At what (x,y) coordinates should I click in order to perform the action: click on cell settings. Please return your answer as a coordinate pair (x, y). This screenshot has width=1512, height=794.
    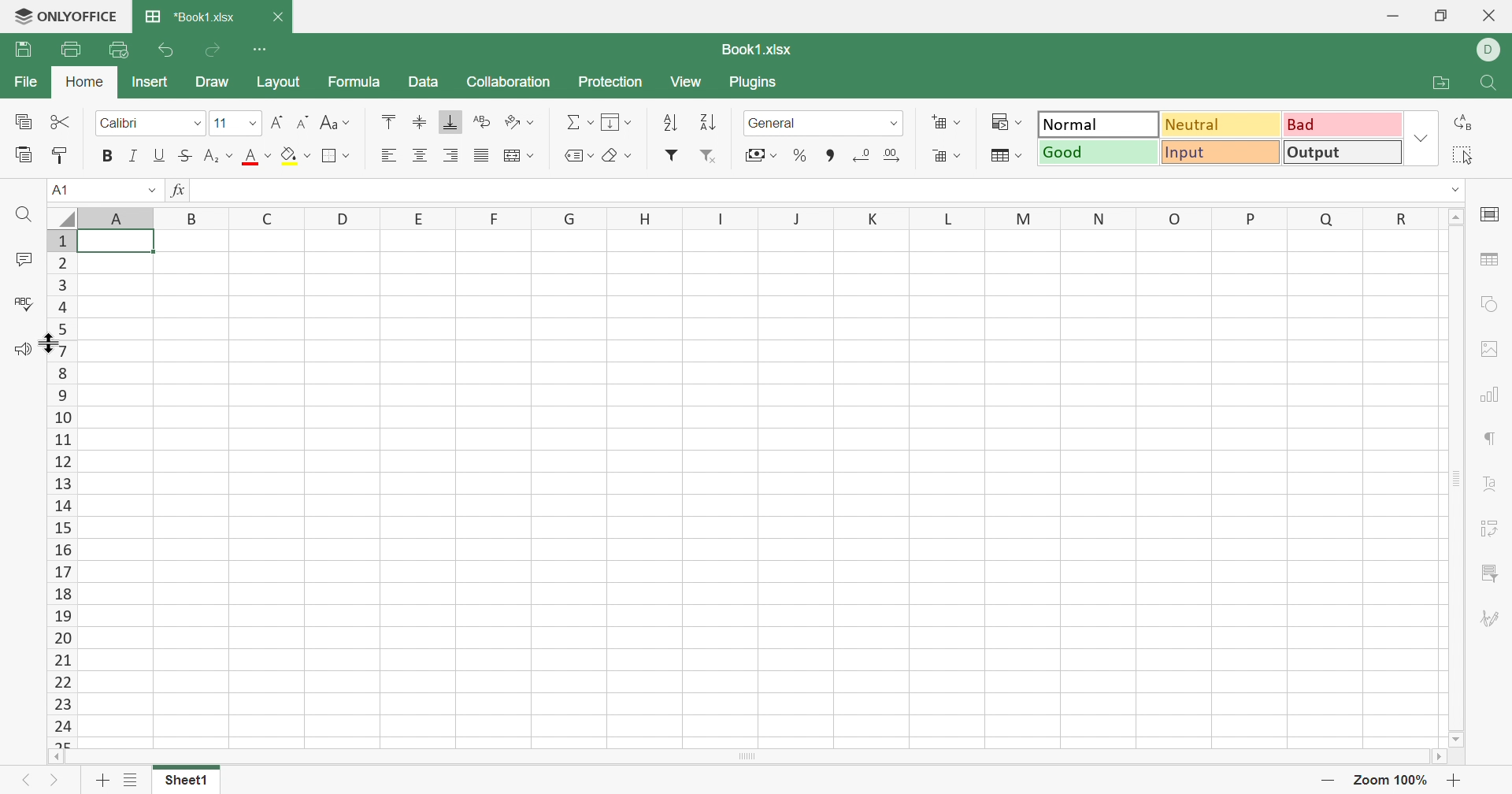
    Looking at the image, I should click on (1489, 217).